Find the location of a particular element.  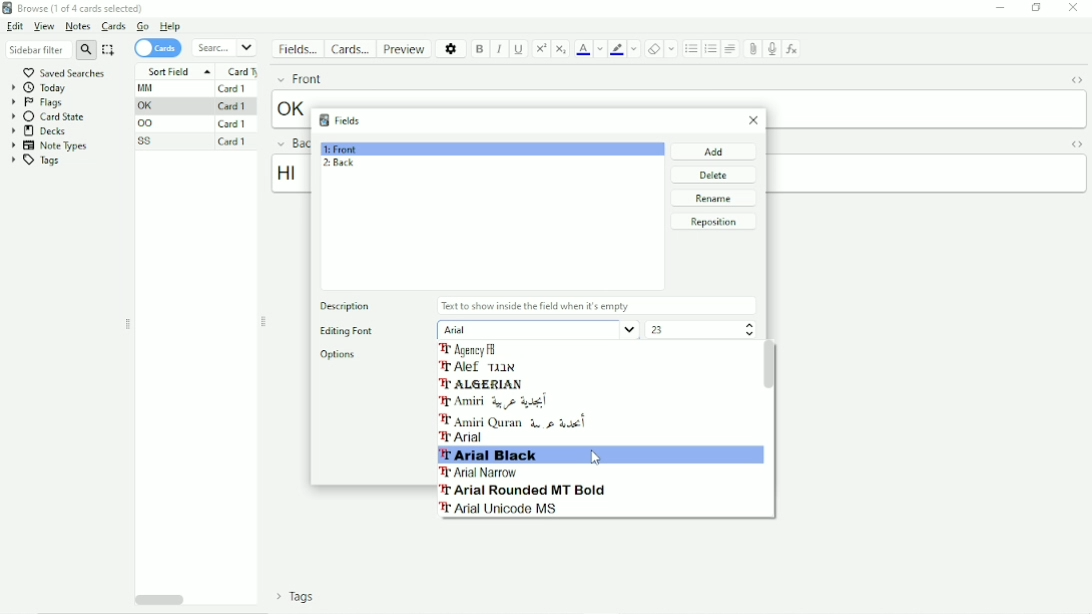

Fields is located at coordinates (299, 52).